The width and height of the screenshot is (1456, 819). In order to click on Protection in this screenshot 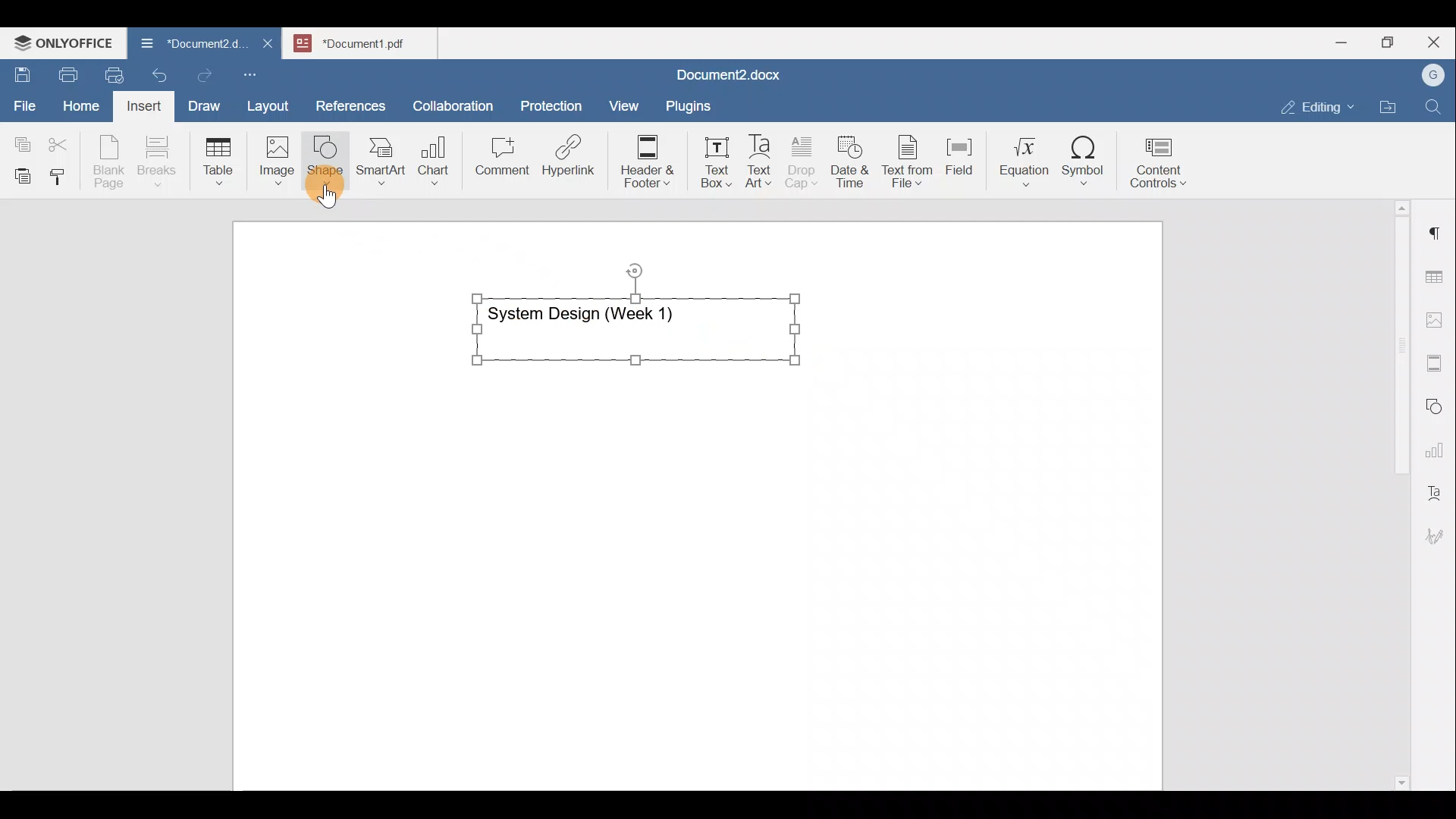, I will do `click(556, 104)`.